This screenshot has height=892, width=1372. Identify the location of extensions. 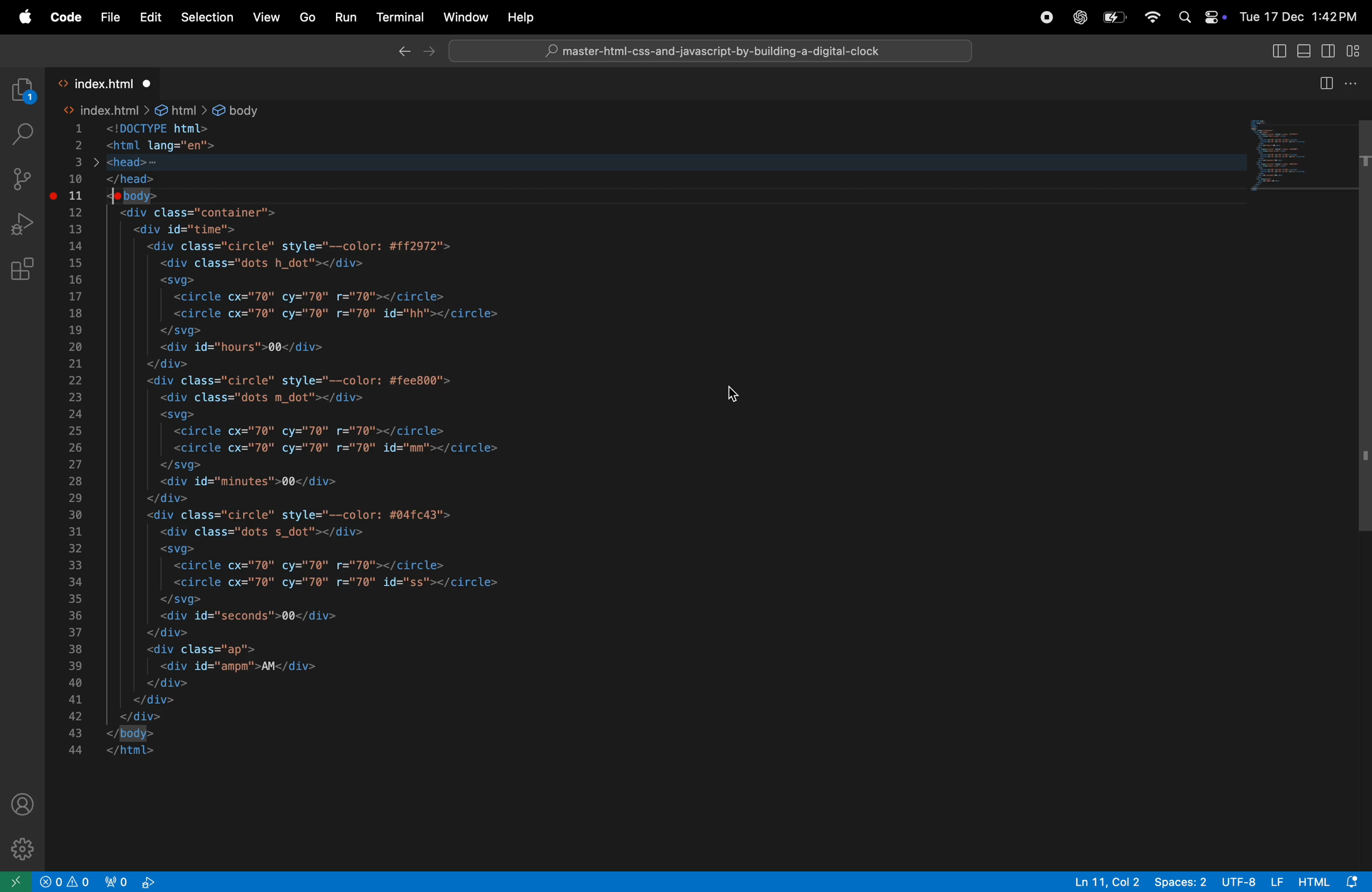
(24, 267).